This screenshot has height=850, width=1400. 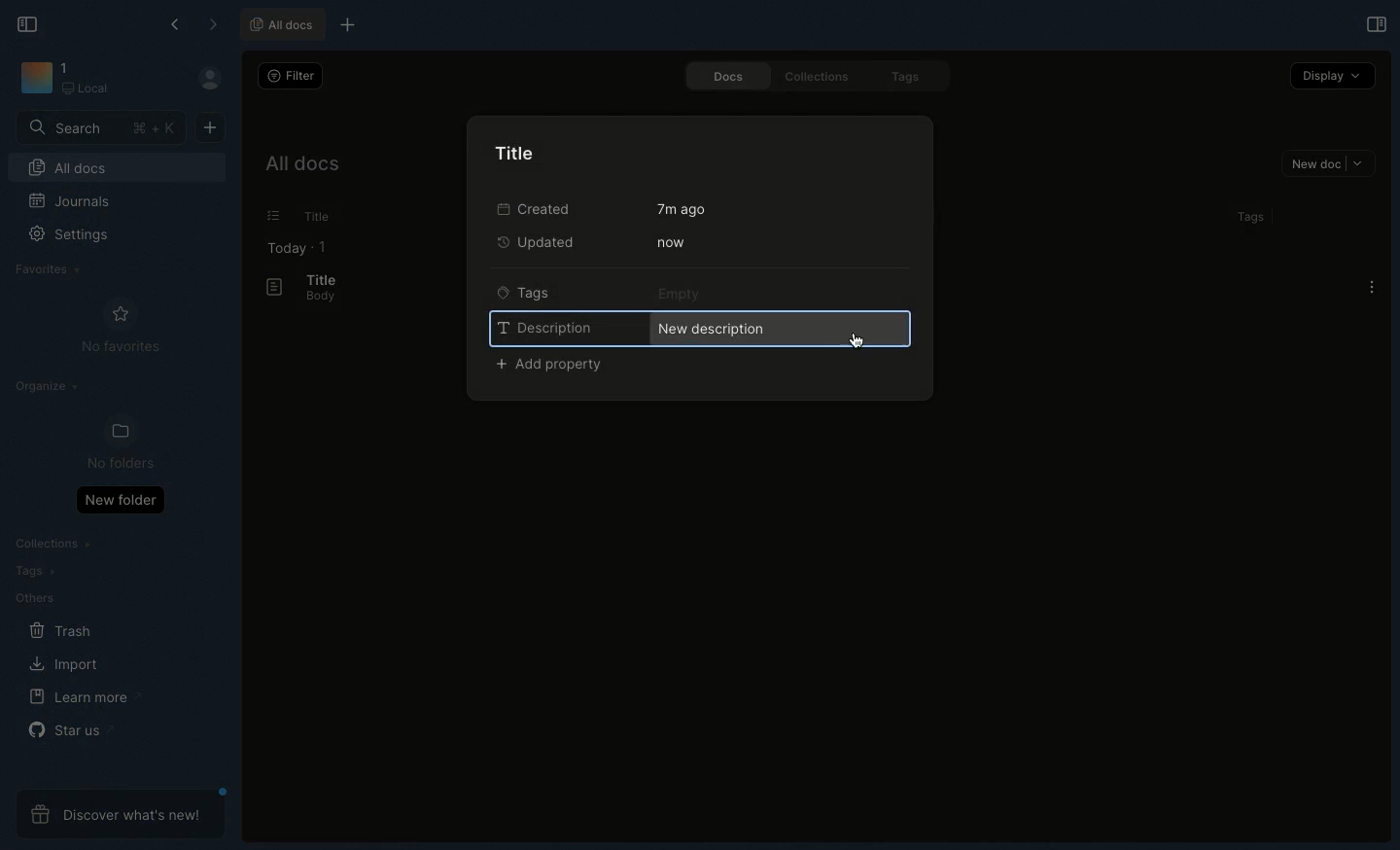 I want to click on All docs, so click(x=300, y=167).